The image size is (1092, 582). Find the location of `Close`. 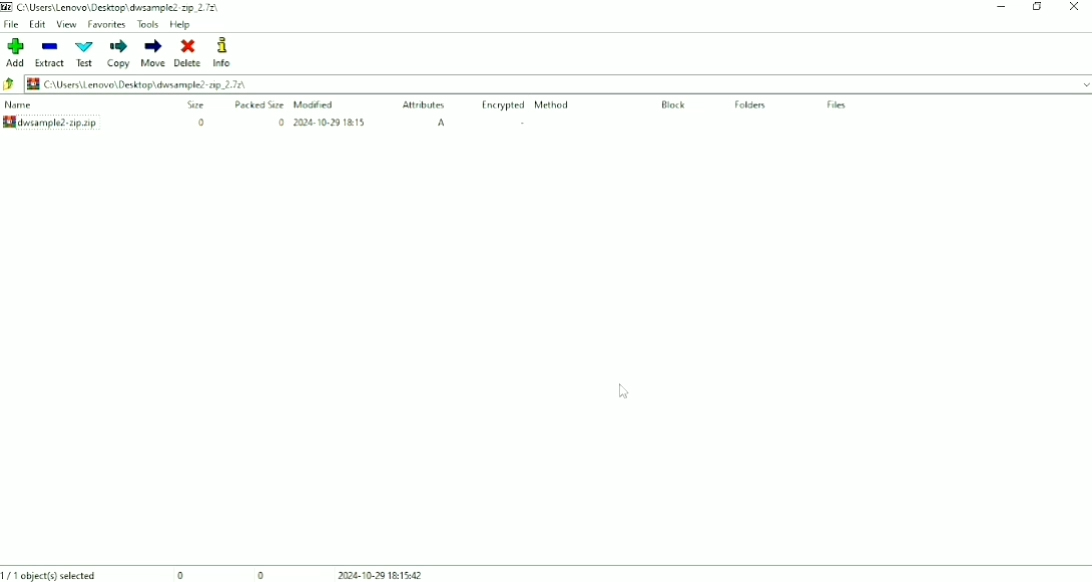

Close is located at coordinates (1074, 7).